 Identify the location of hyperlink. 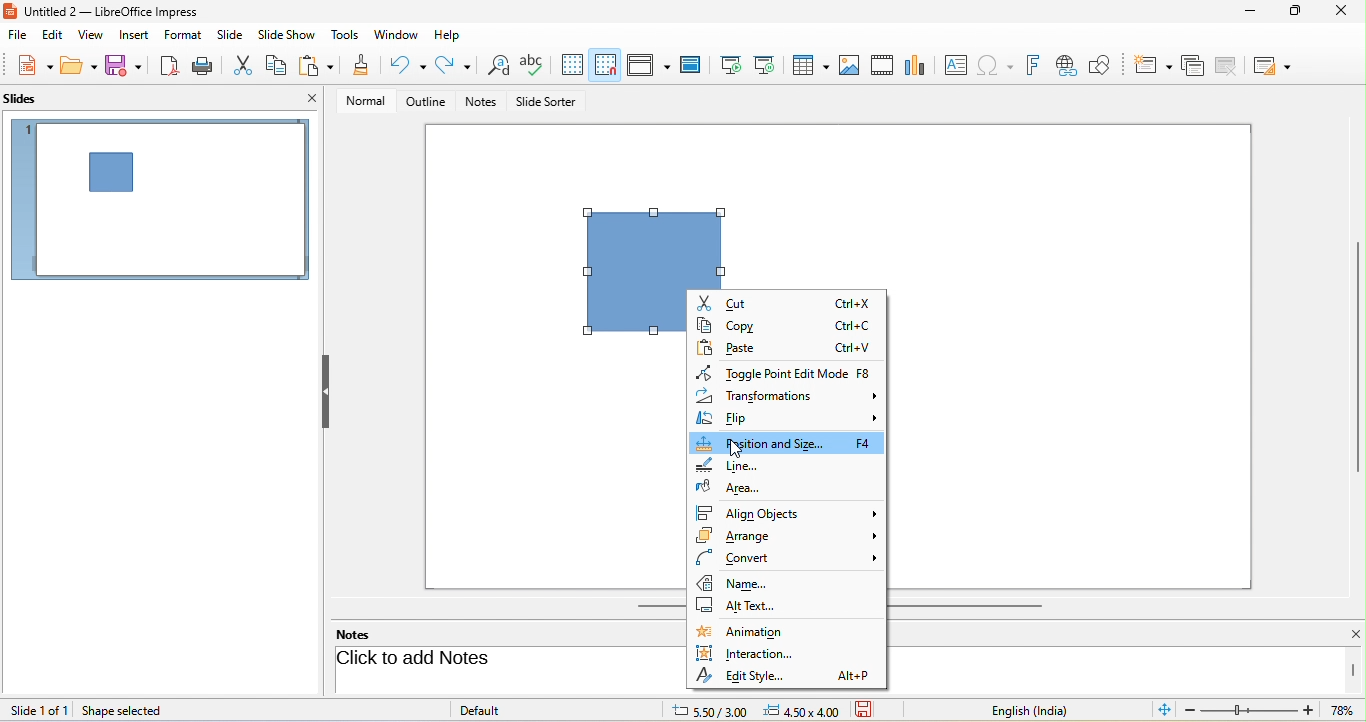
(1070, 66).